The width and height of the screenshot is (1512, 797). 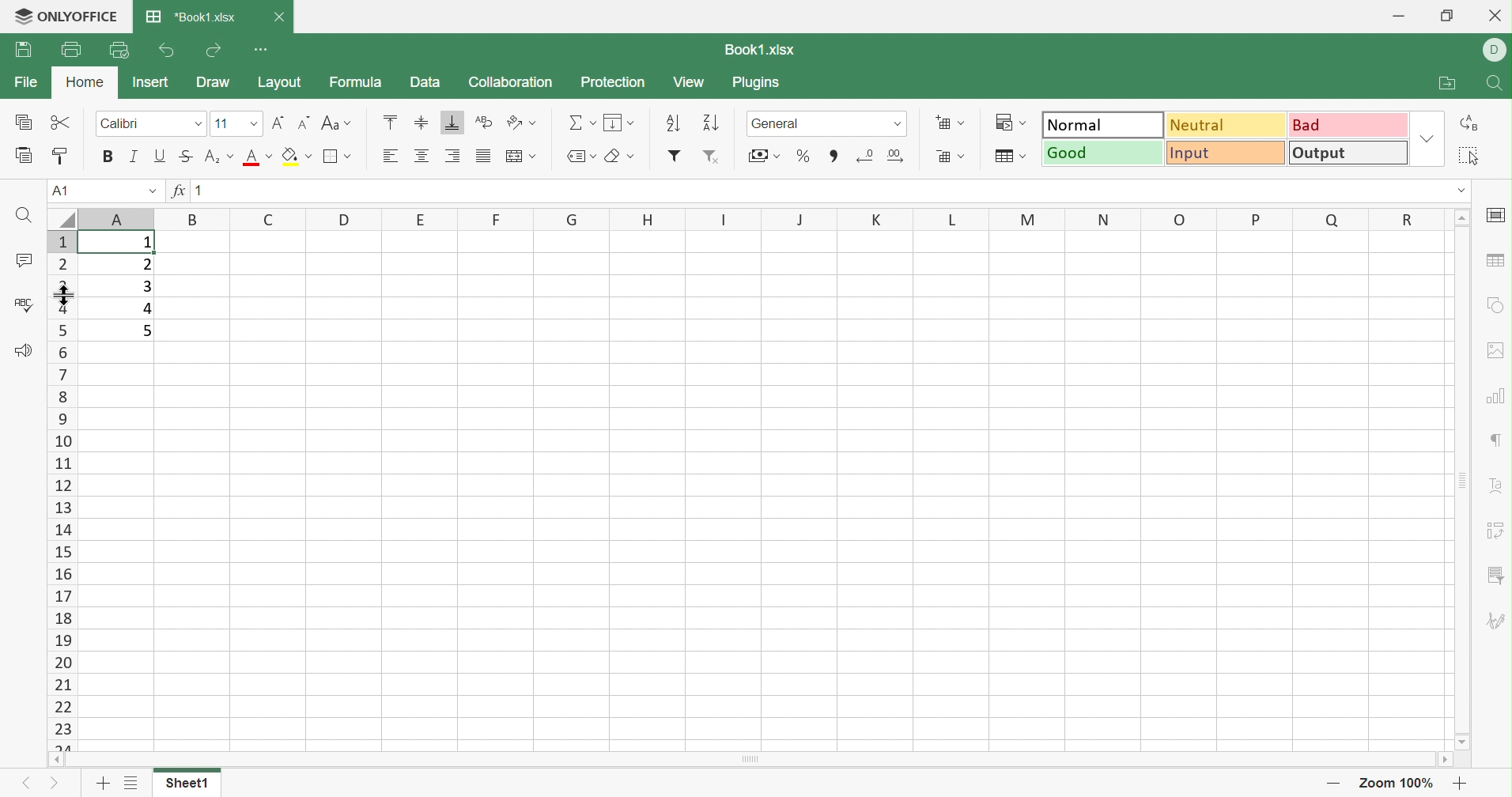 I want to click on Drop Down, so click(x=231, y=155).